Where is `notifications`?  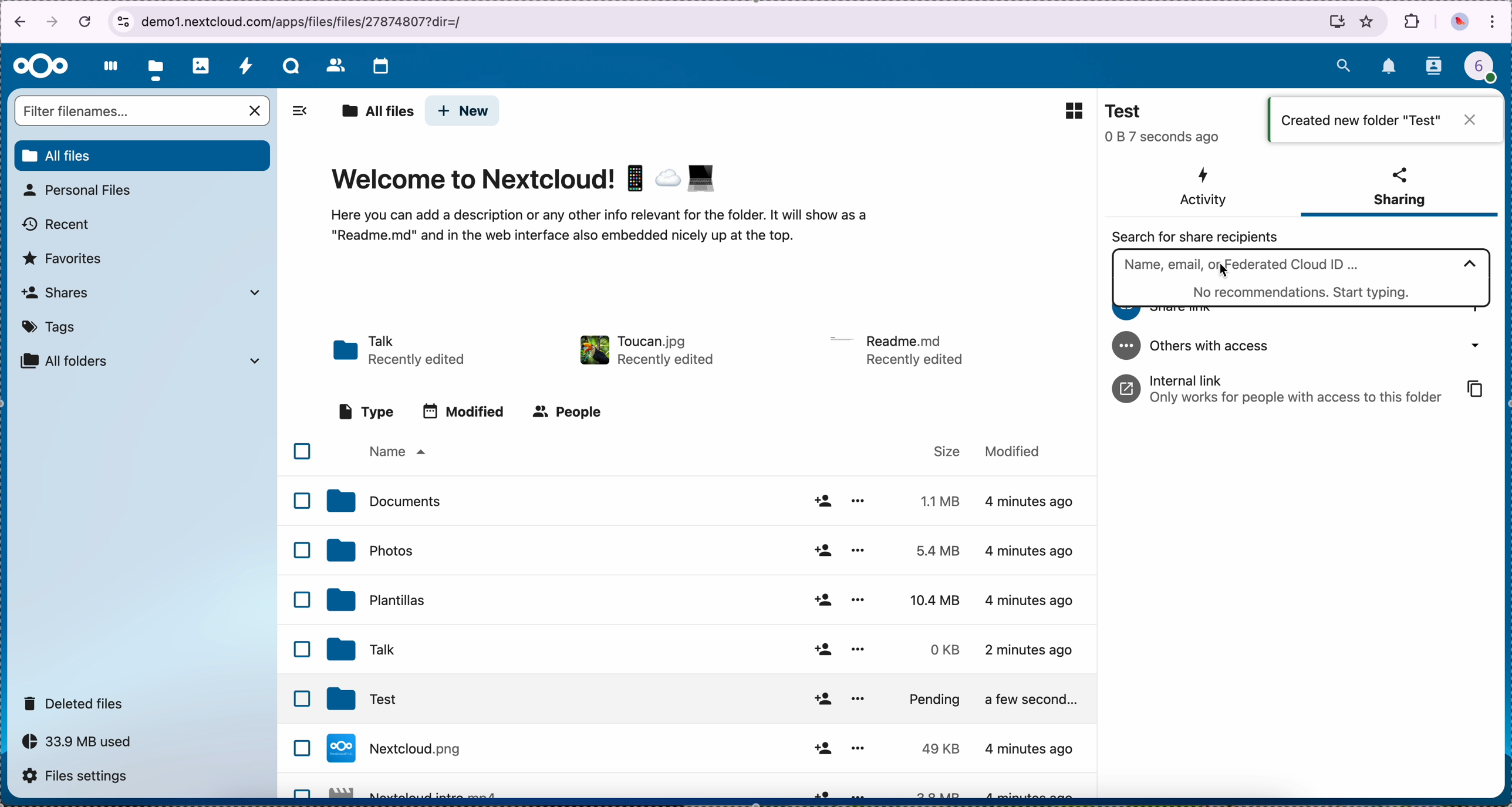
notifications is located at coordinates (1390, 67).